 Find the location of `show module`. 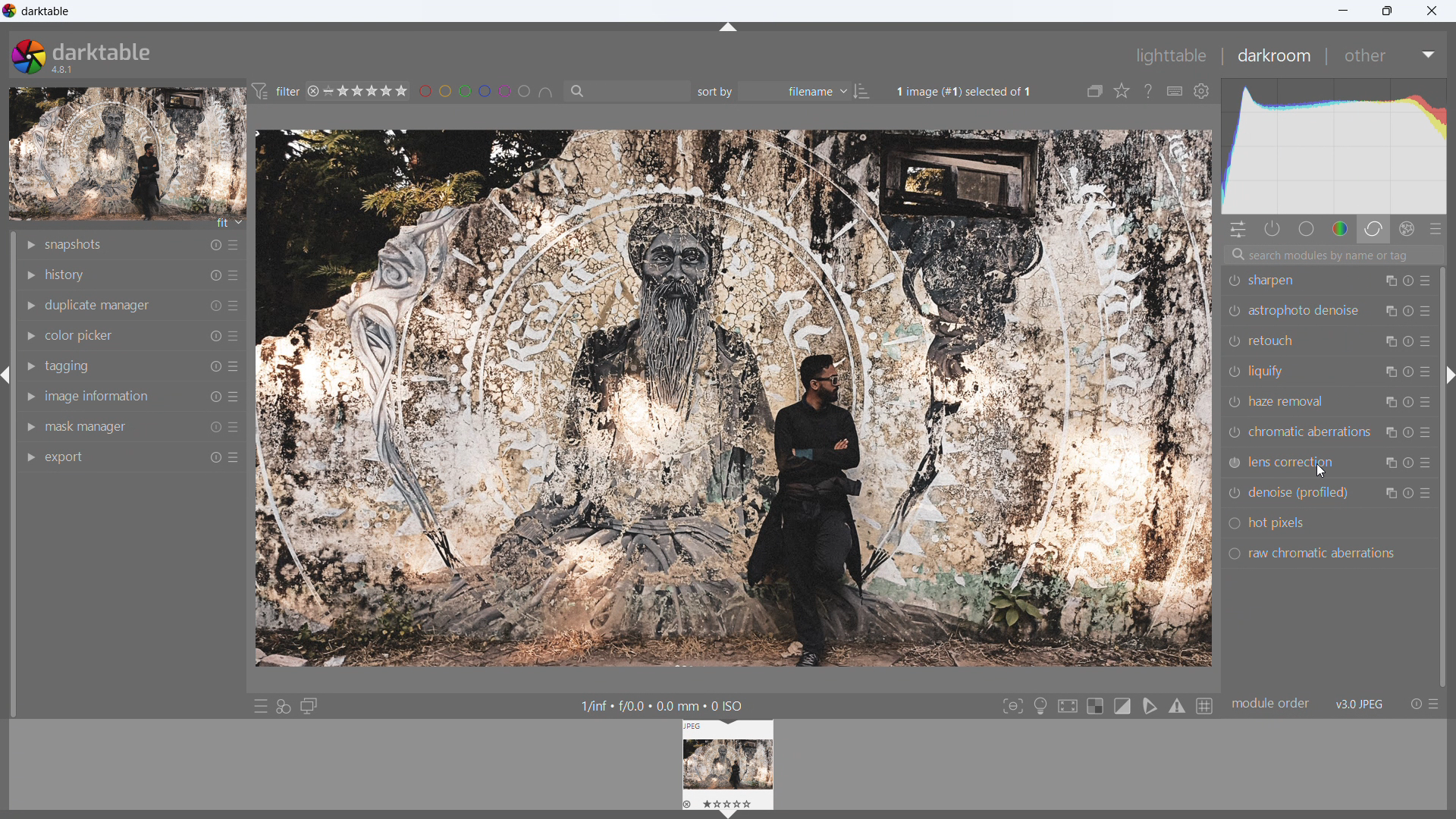

show module is located at coordinates (33, 306).